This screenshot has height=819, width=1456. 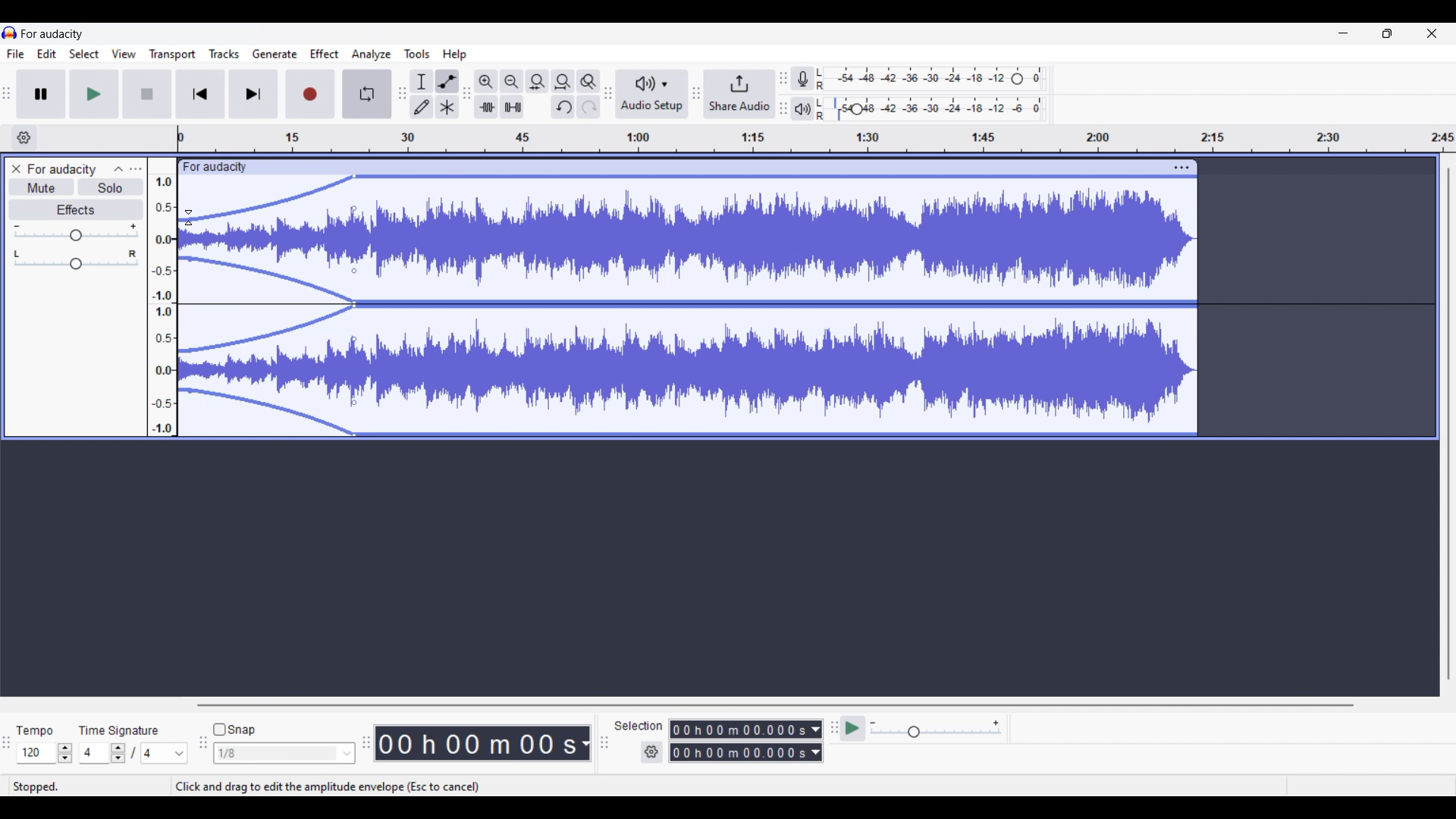 I want to click on Timeline options, so click(x=25, y=138).